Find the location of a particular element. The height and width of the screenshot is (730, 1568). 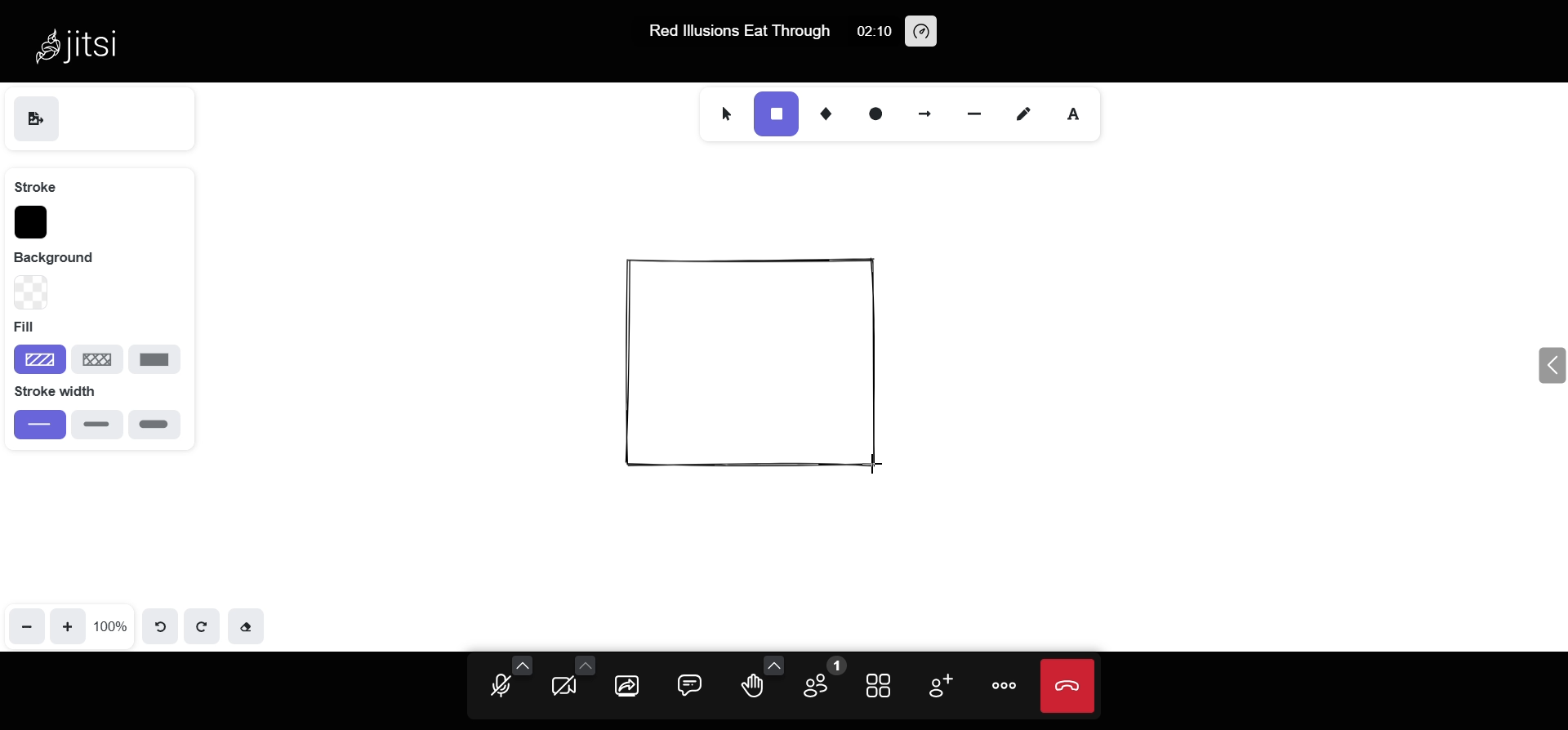

invite people is located at coordinates (938, 686).